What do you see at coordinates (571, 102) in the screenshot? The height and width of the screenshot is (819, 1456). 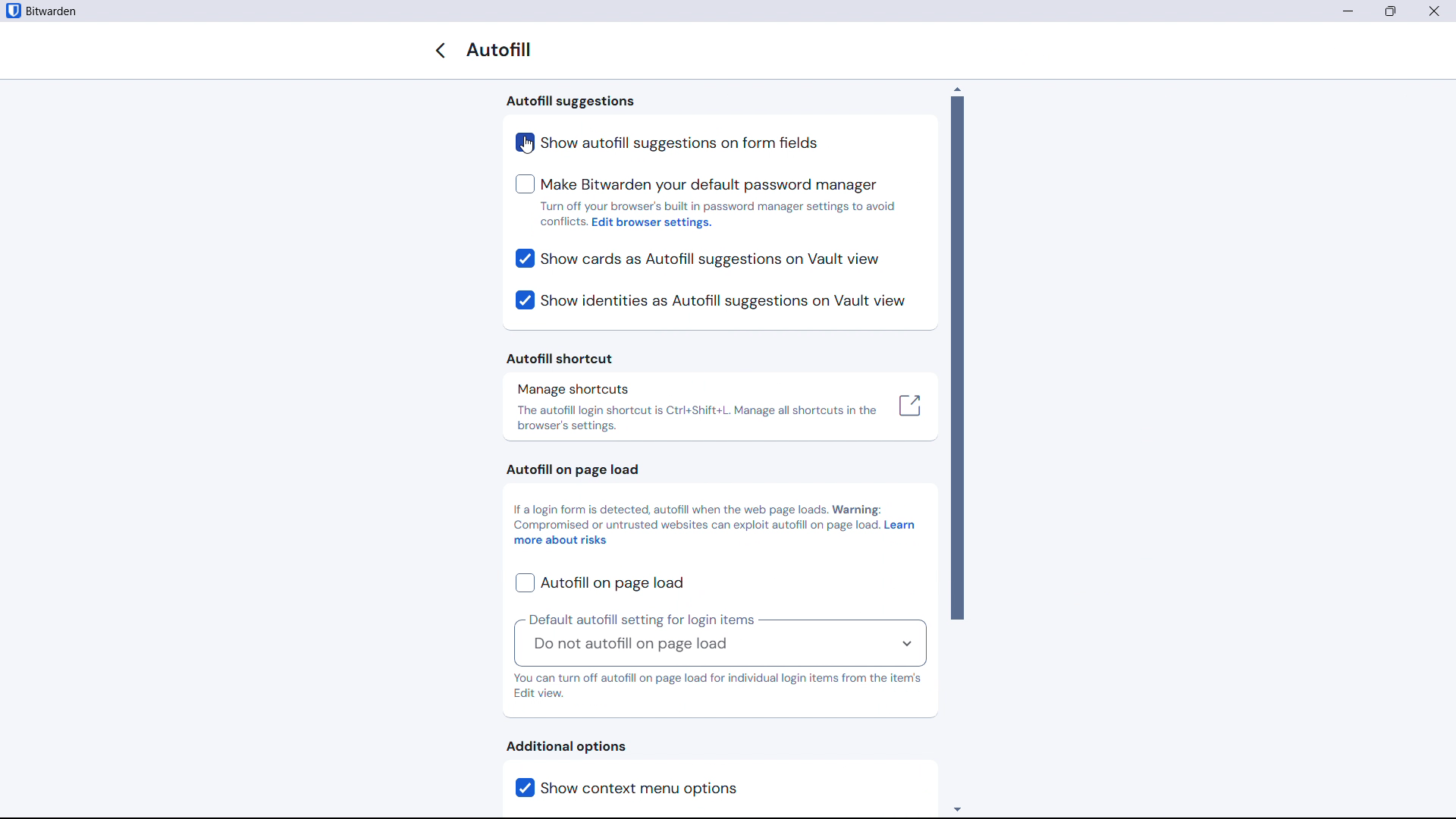 I see `Autofill suggestions` at bounding box center [571, 102].